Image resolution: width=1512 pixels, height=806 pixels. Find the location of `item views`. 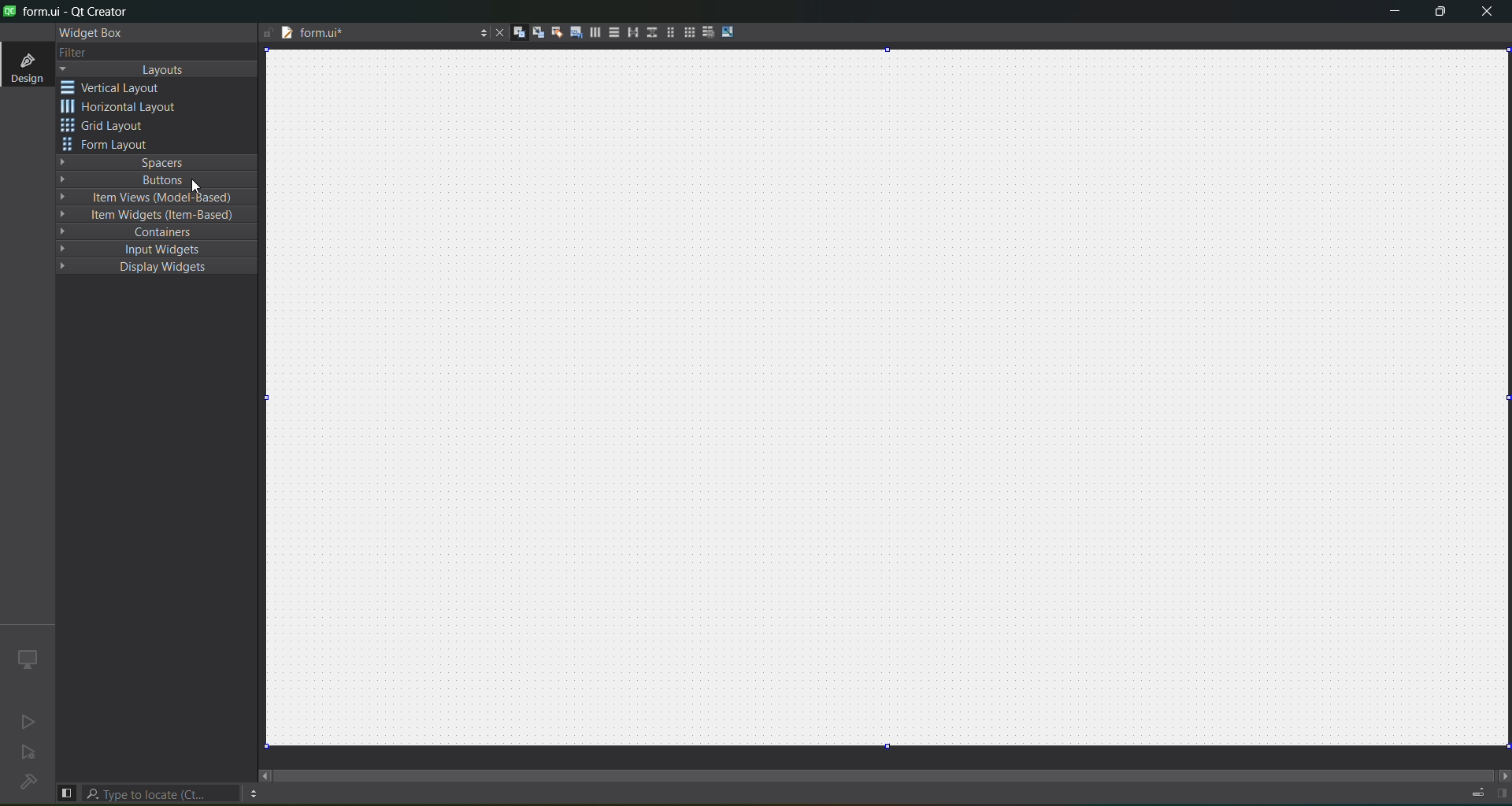

item views is located at coordinates (155, 198).